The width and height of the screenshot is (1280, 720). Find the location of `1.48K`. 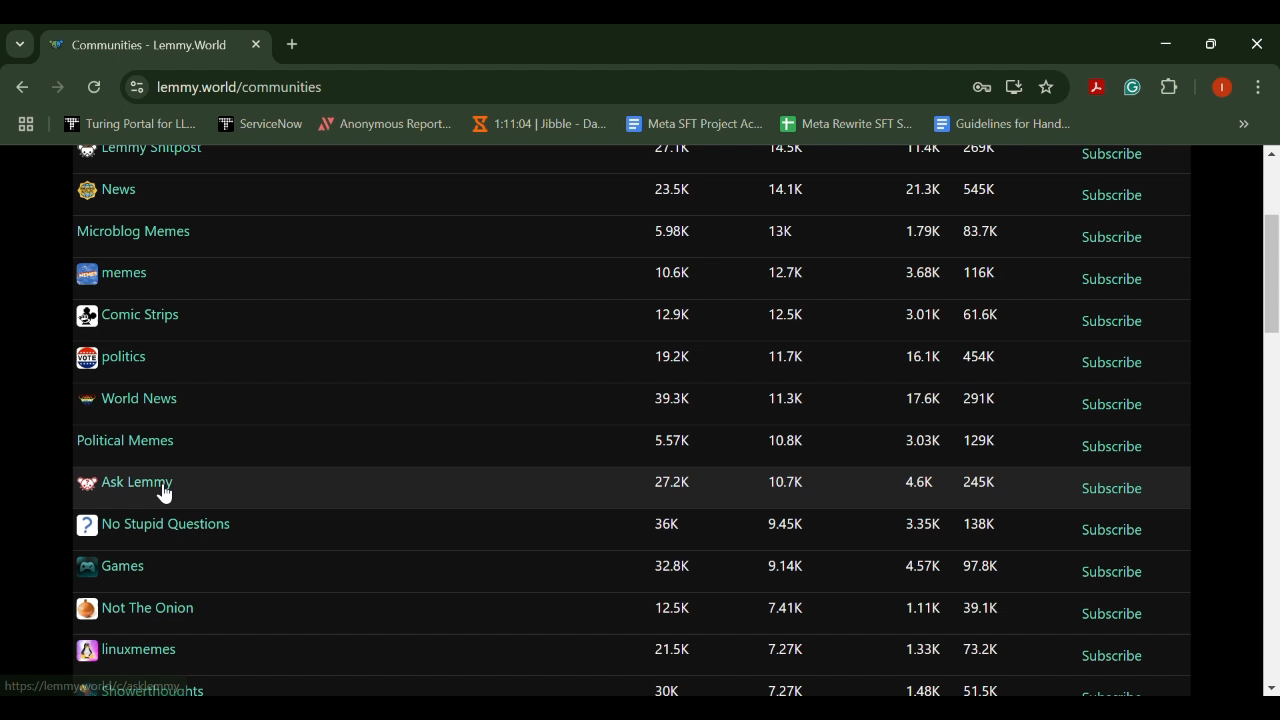

1.48K is located at coordinates (922, 691).